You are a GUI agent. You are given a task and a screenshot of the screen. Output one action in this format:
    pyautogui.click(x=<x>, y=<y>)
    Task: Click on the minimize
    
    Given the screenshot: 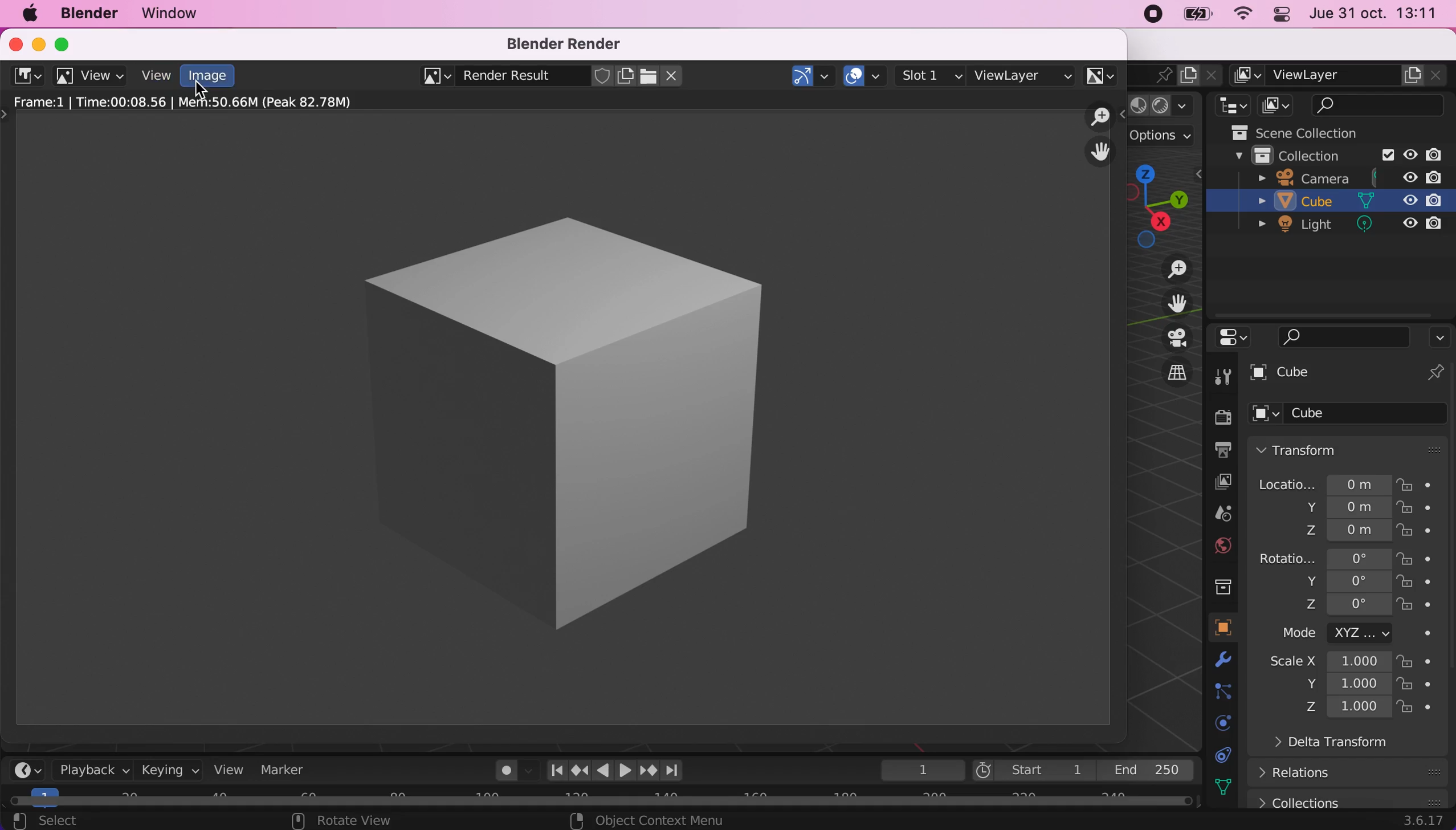 What is the action you would take?
    pyautogui.click(x=35, y=43)
    